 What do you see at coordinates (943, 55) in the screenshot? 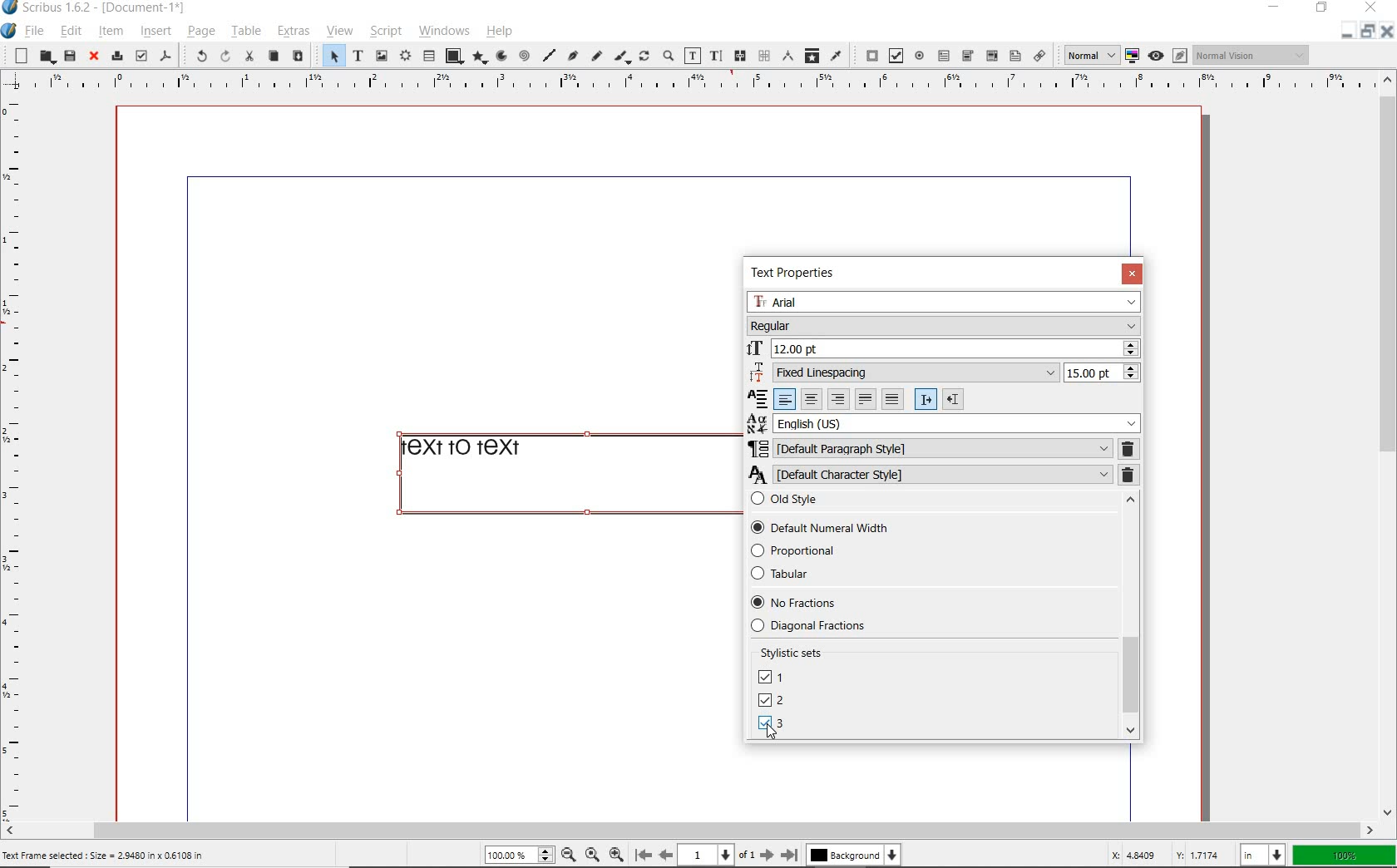
I see `pdf text field` at bounding box center [943, 55].